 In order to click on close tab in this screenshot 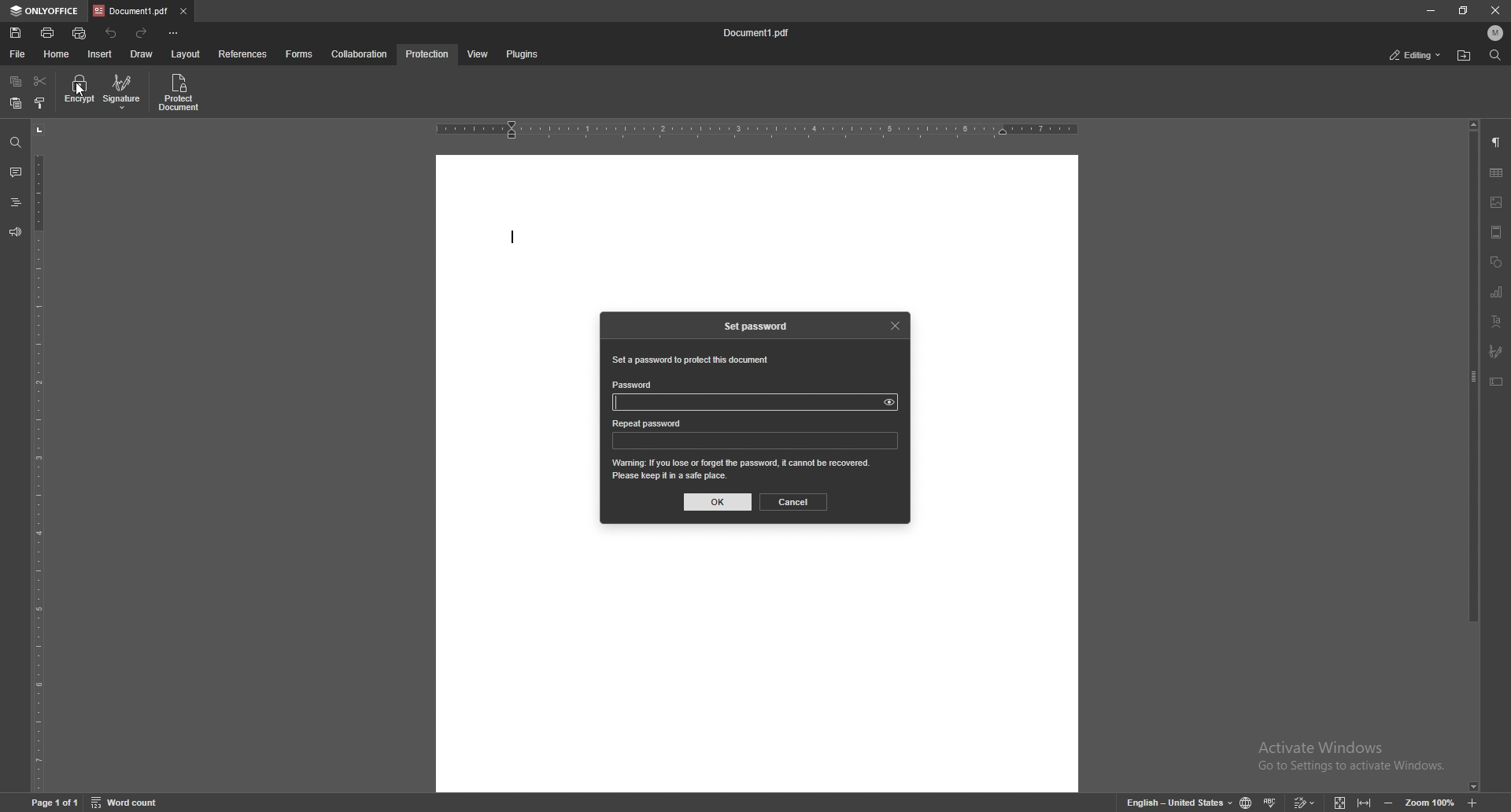, I will do `click(183, 10)`.